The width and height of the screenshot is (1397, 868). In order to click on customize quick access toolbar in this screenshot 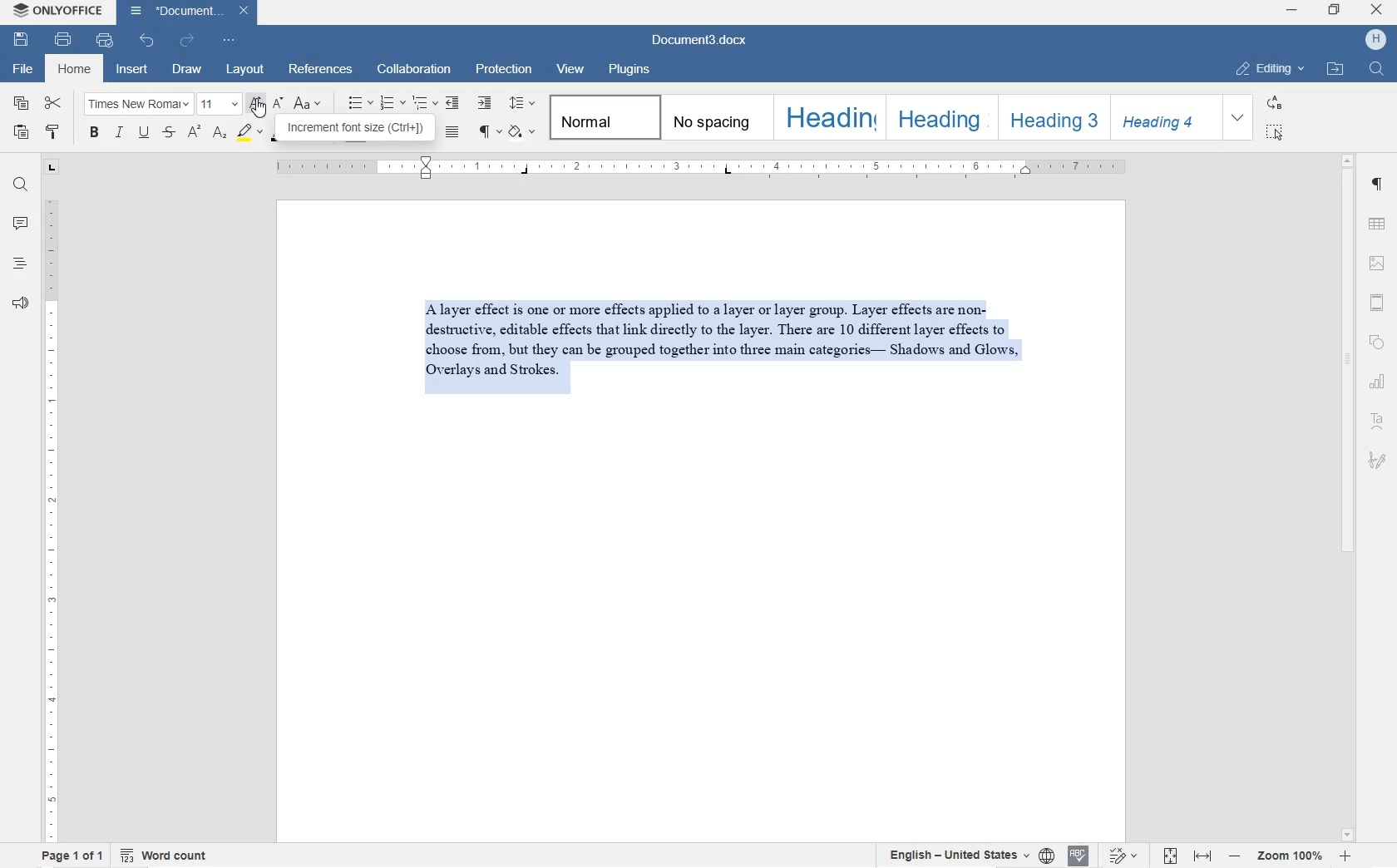, I will do `click(229, 40)`.